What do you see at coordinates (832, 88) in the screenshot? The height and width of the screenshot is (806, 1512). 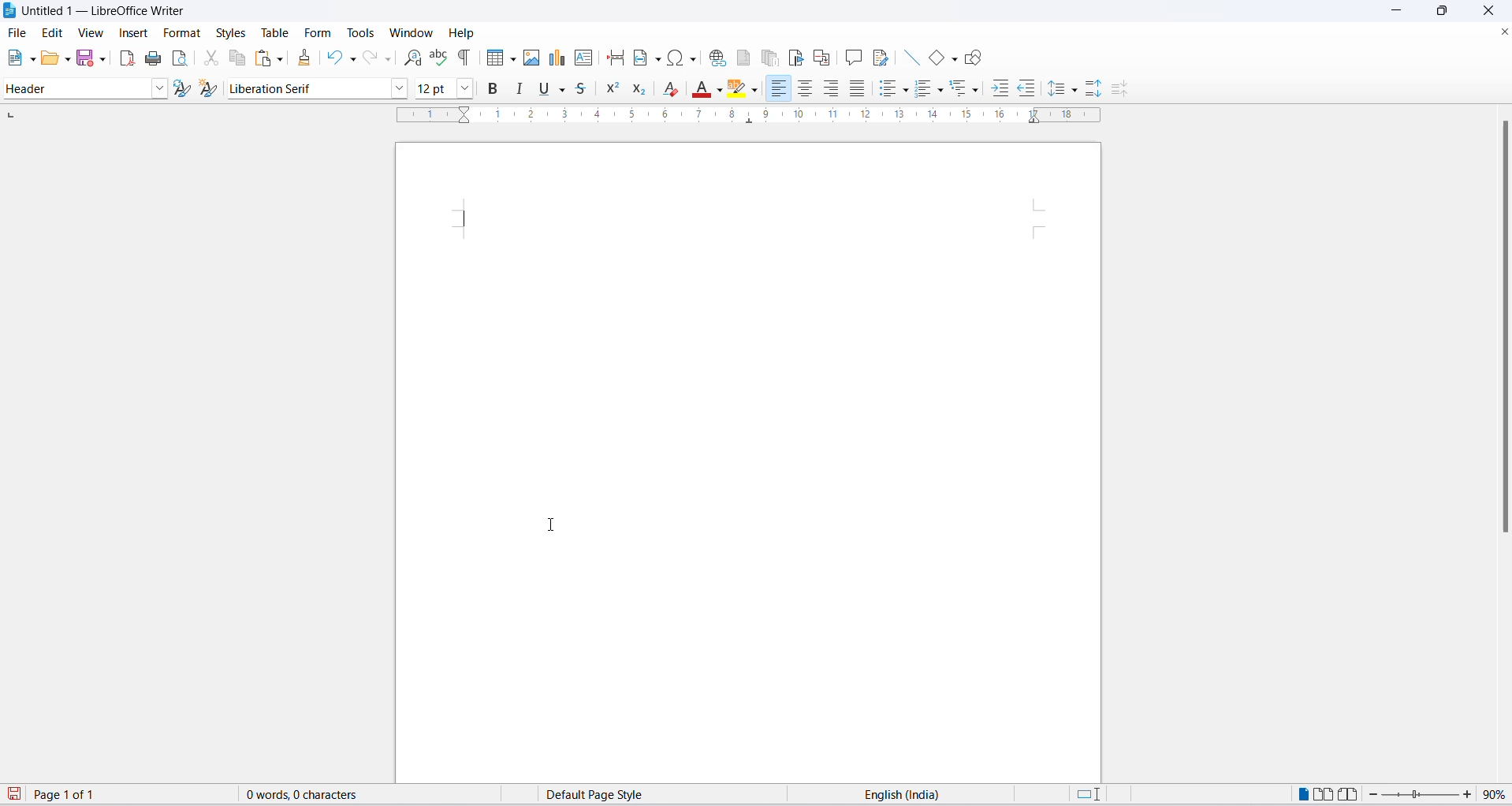 I see `text align center` at bounding box center [832, 88].